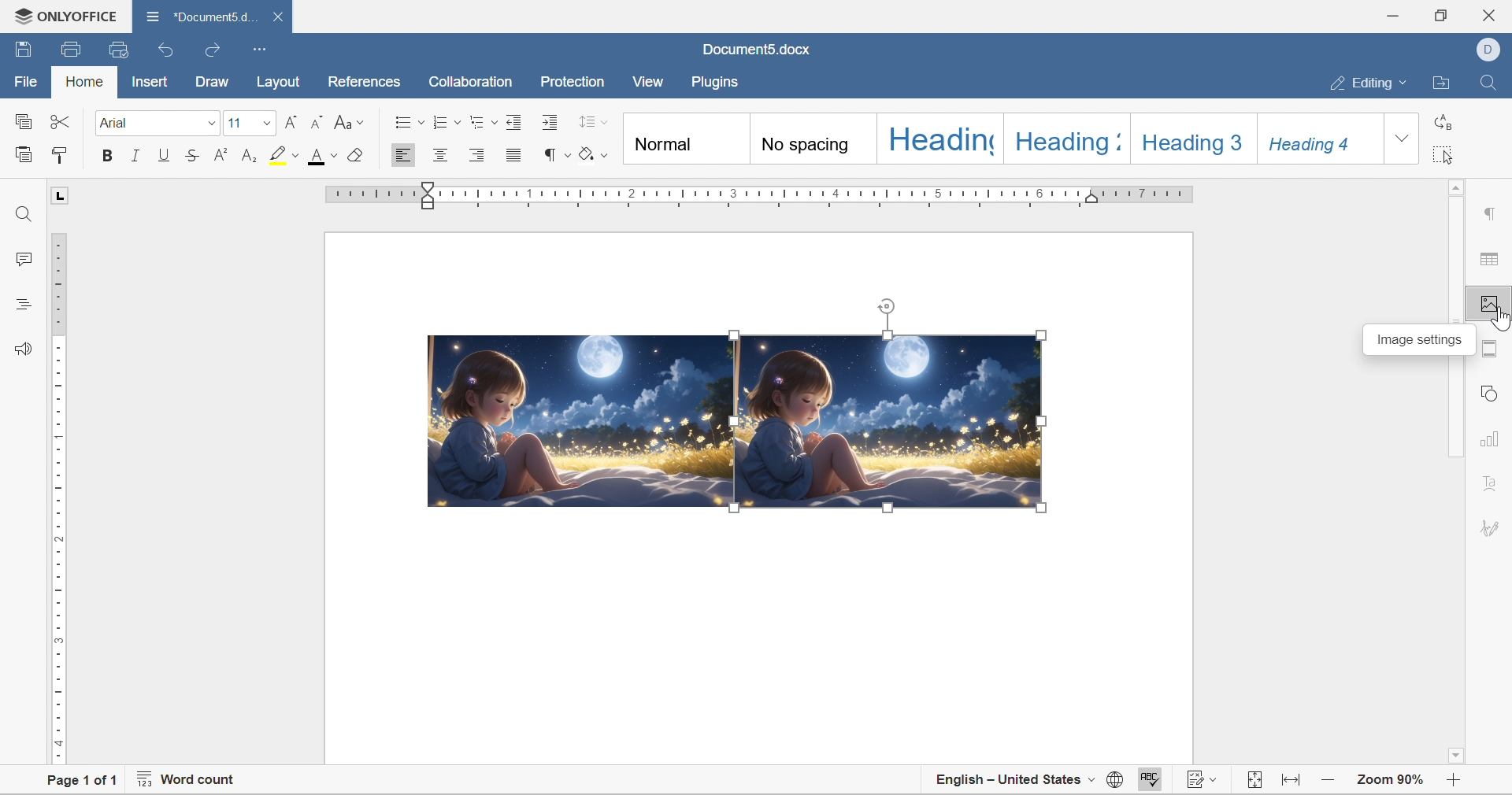 The height and width of the screenshot is (795, 1512). I want to click on fit to page, so click(1255, 780).